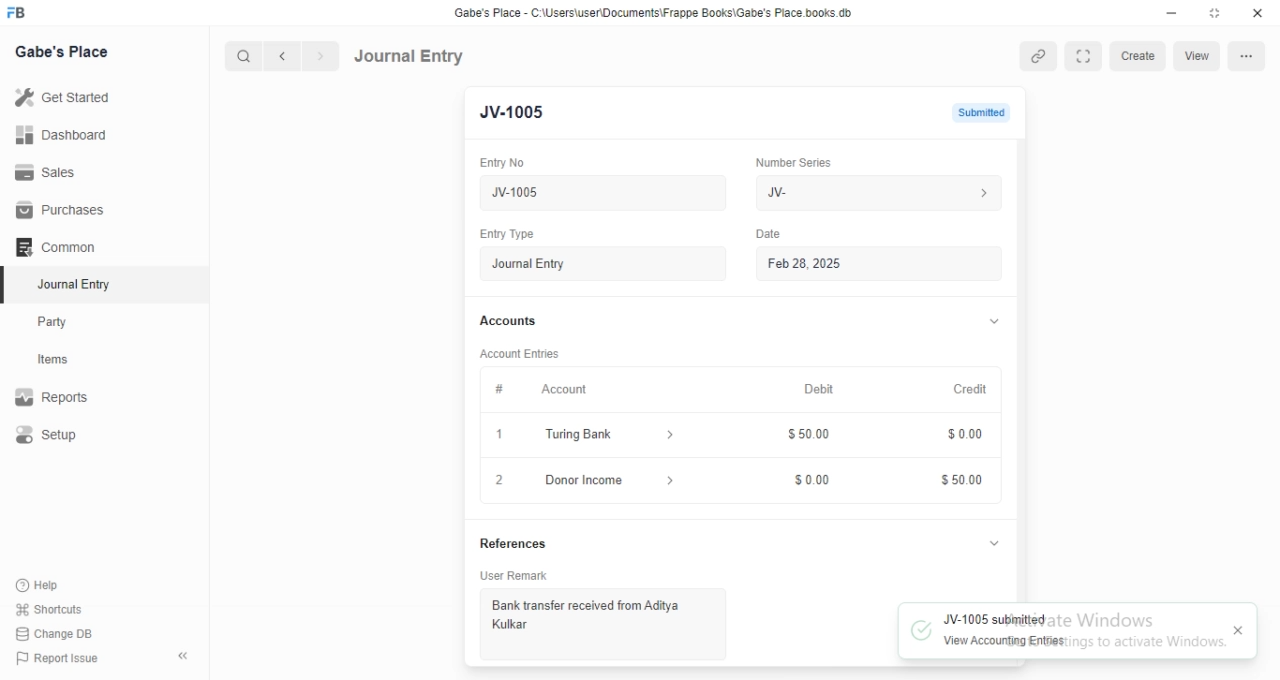  What do you see at coordinates (514, 233) in the screenshot?
I see `Entry Type` at bounding box center [514, 233].